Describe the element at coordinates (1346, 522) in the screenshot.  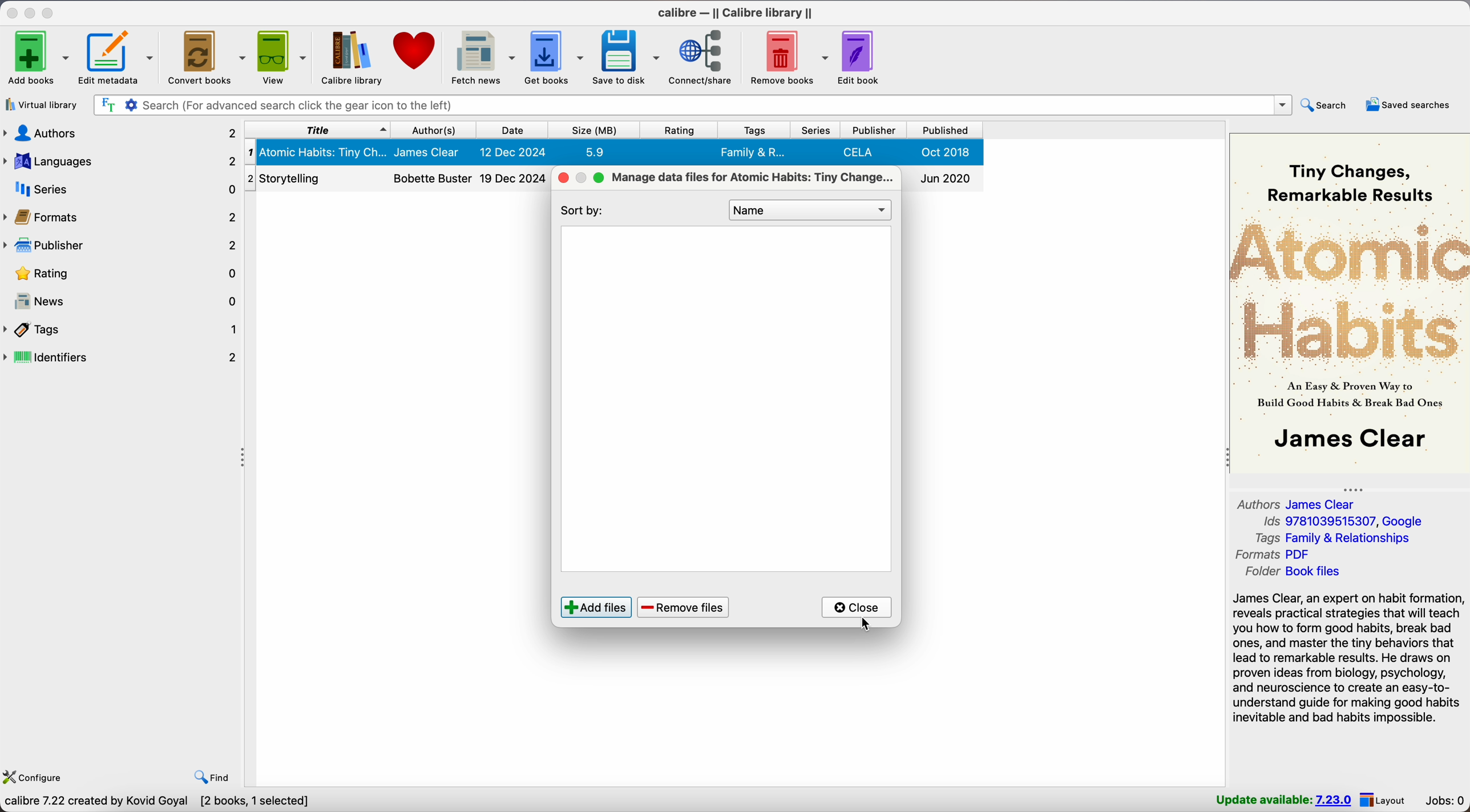
I see `Ids 9781039515307, Google` at that location.